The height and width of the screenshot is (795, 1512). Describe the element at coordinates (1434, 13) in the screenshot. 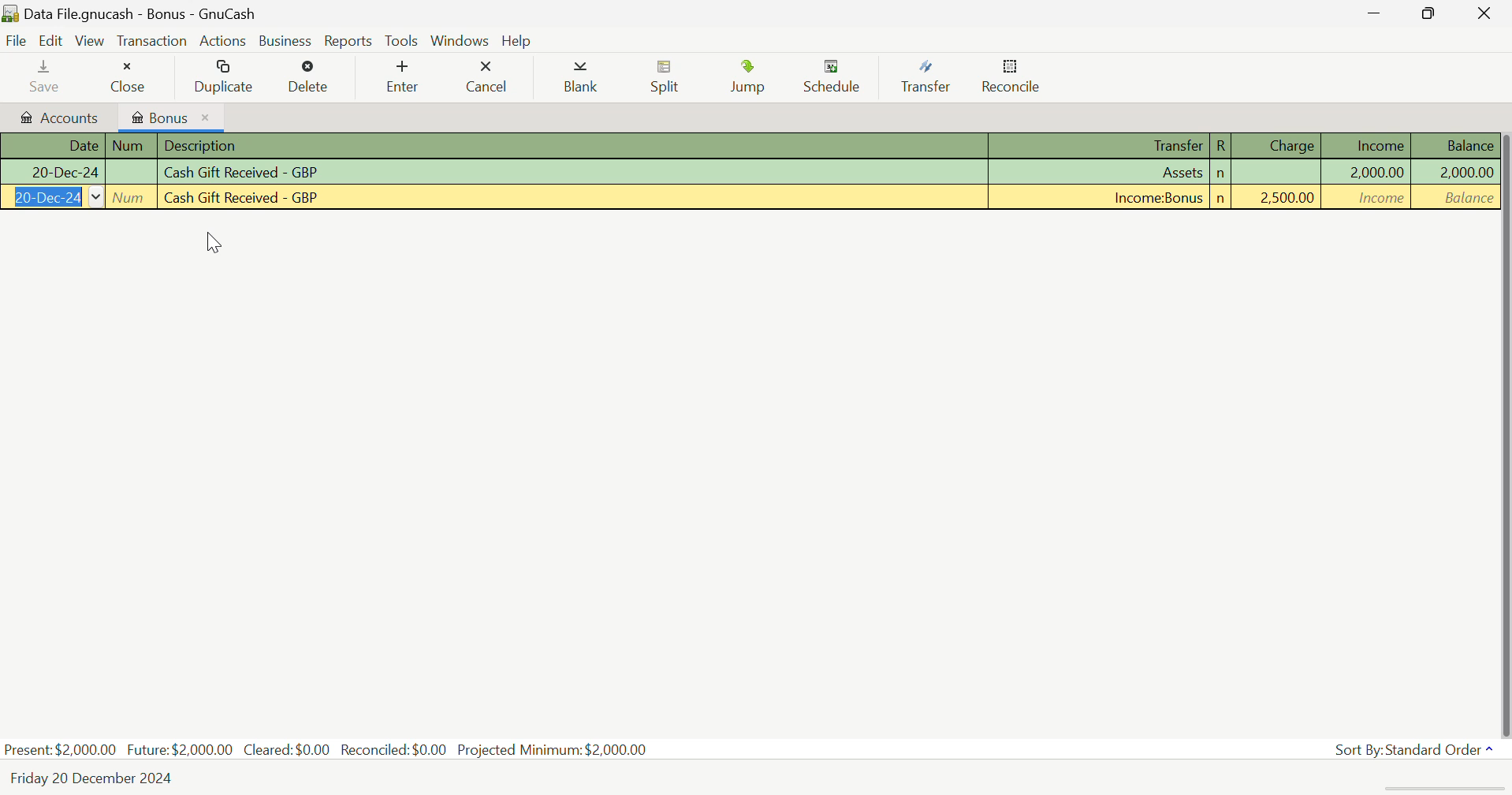

I see `Minimize` at that location.